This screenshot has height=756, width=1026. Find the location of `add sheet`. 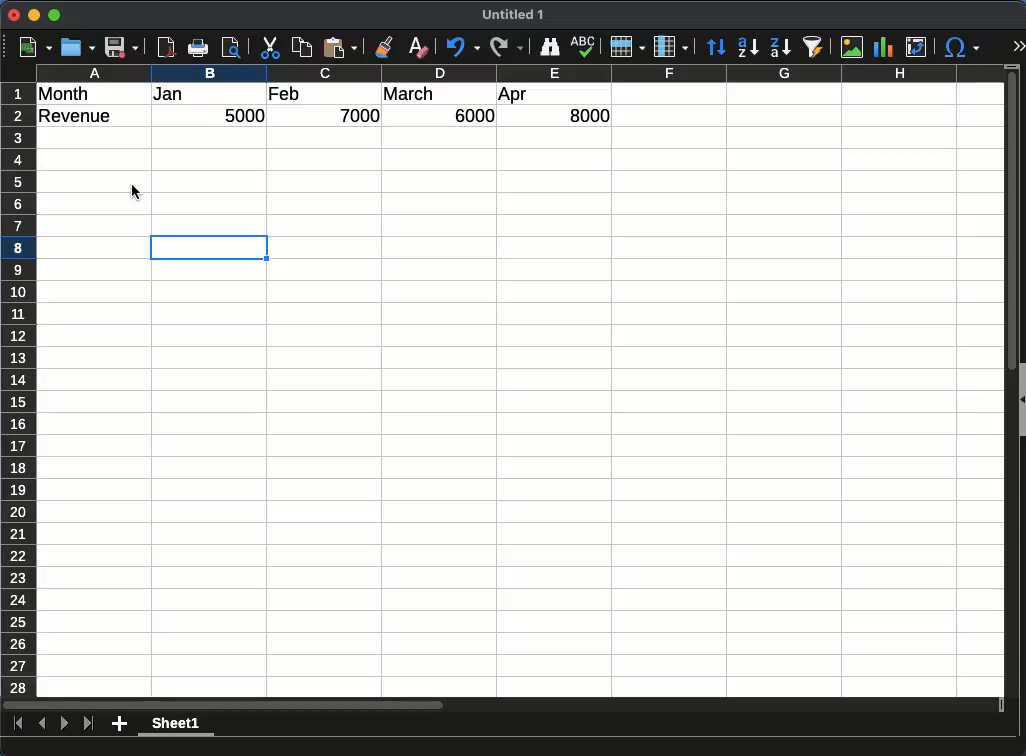

add sheet is located at coordinates (119, 724).